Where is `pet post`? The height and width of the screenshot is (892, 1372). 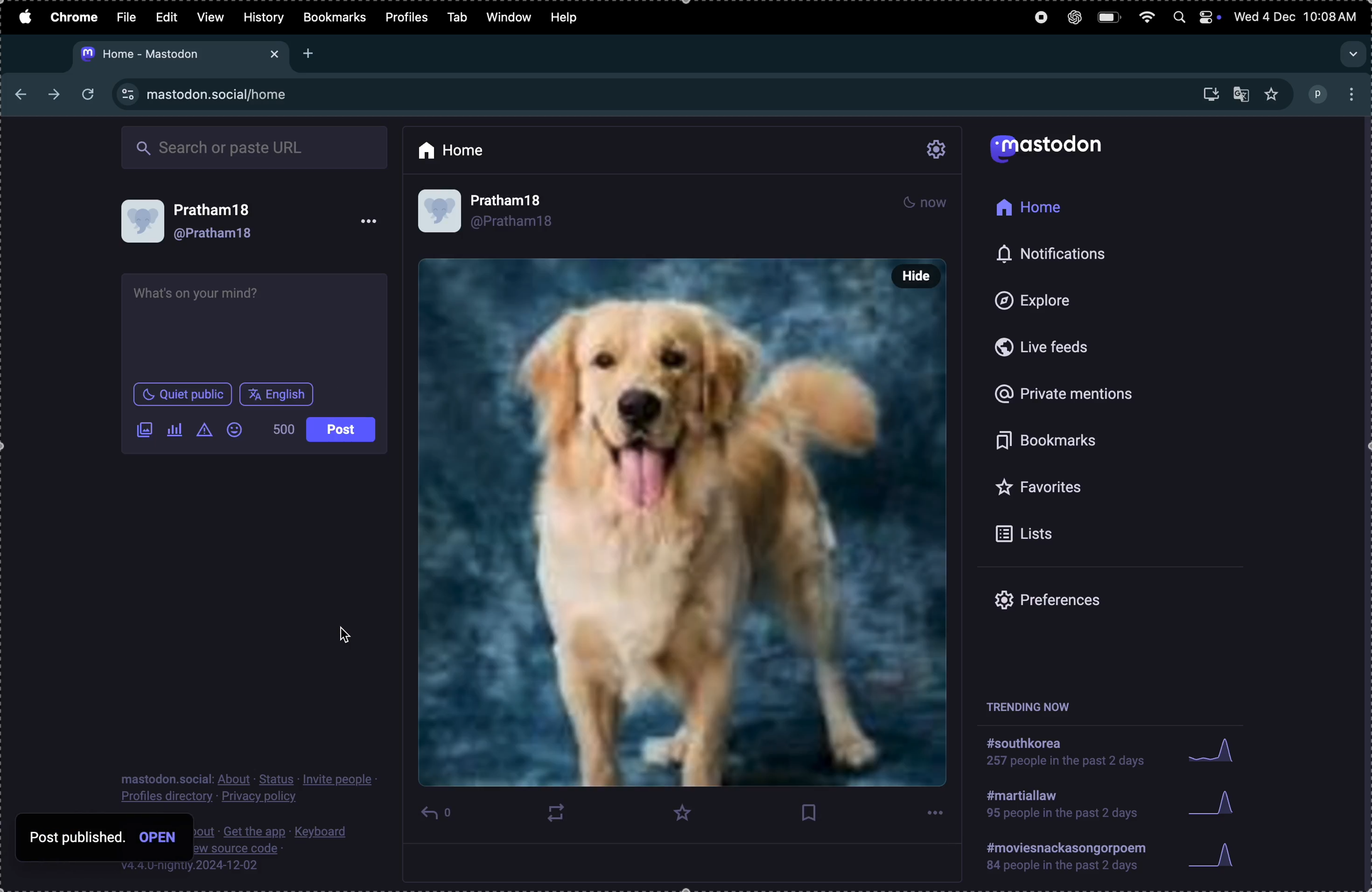
pet post is located at coordinates (685, 525).